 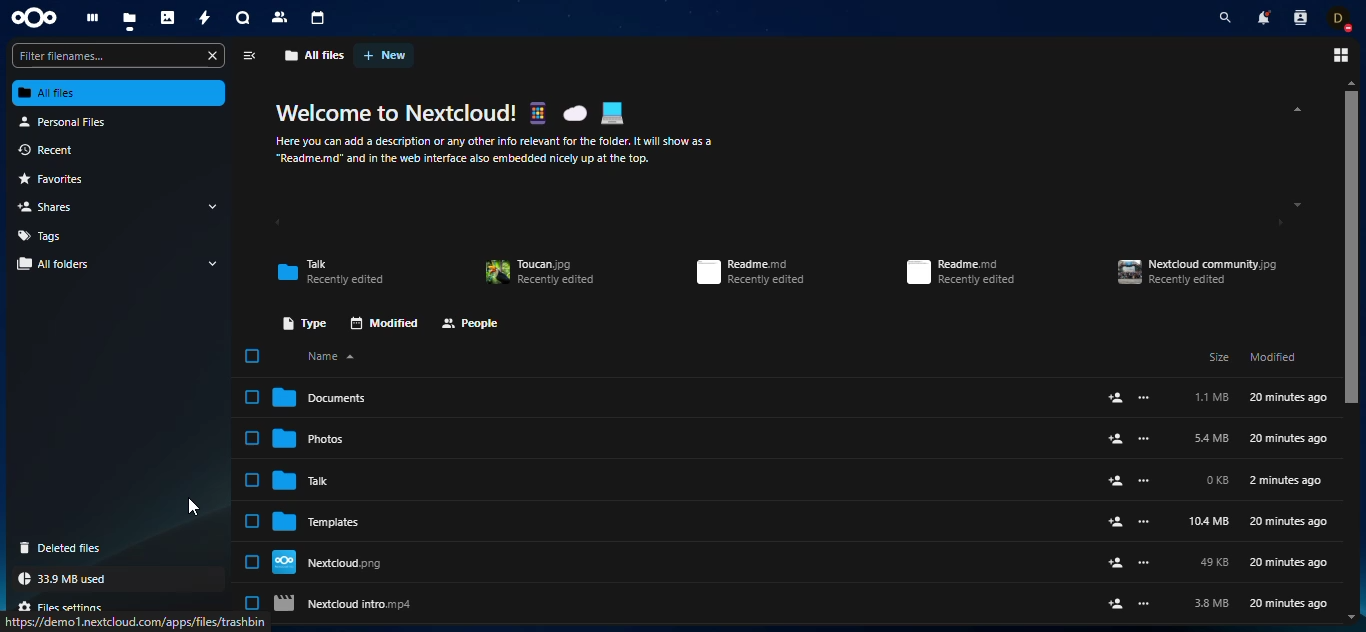 I want to click on Photos, so click(x=314, y=438).